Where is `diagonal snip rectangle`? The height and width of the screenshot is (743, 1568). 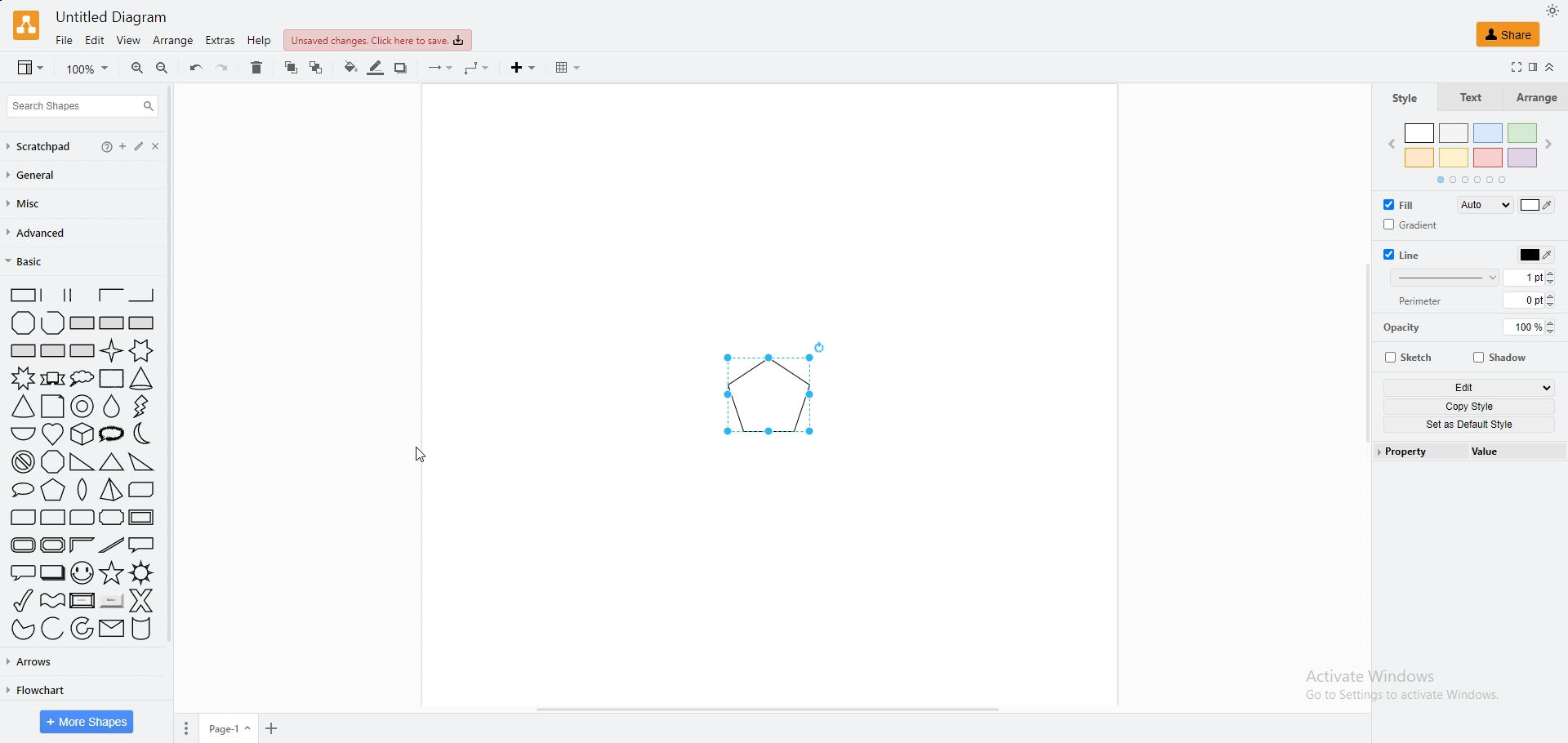 diagonal snip rectangle is located at coordinates (142, 491).